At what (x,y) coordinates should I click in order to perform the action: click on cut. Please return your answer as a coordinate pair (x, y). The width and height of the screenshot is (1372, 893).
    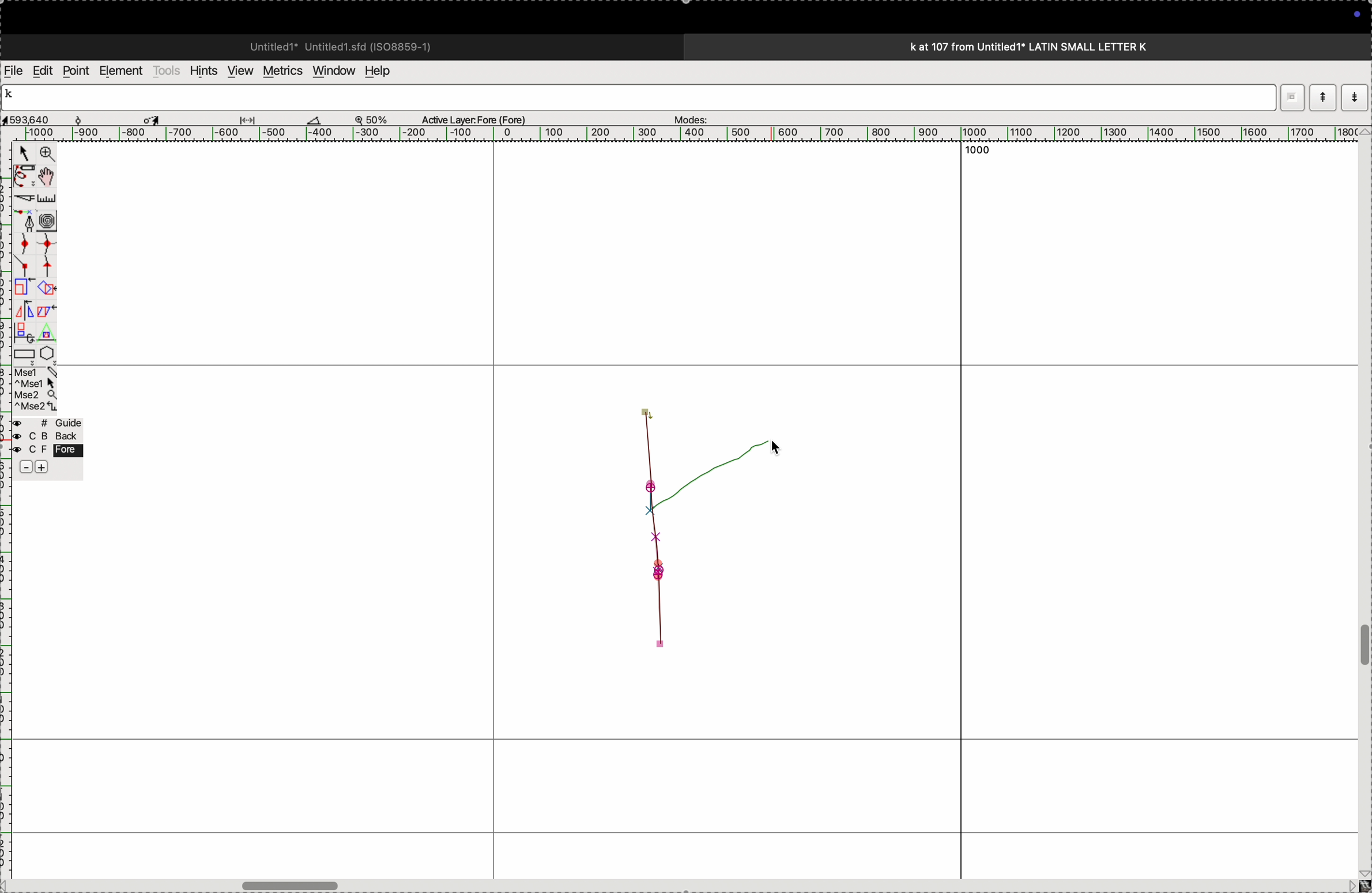
    Looking at the image, I should click on (22, 198).